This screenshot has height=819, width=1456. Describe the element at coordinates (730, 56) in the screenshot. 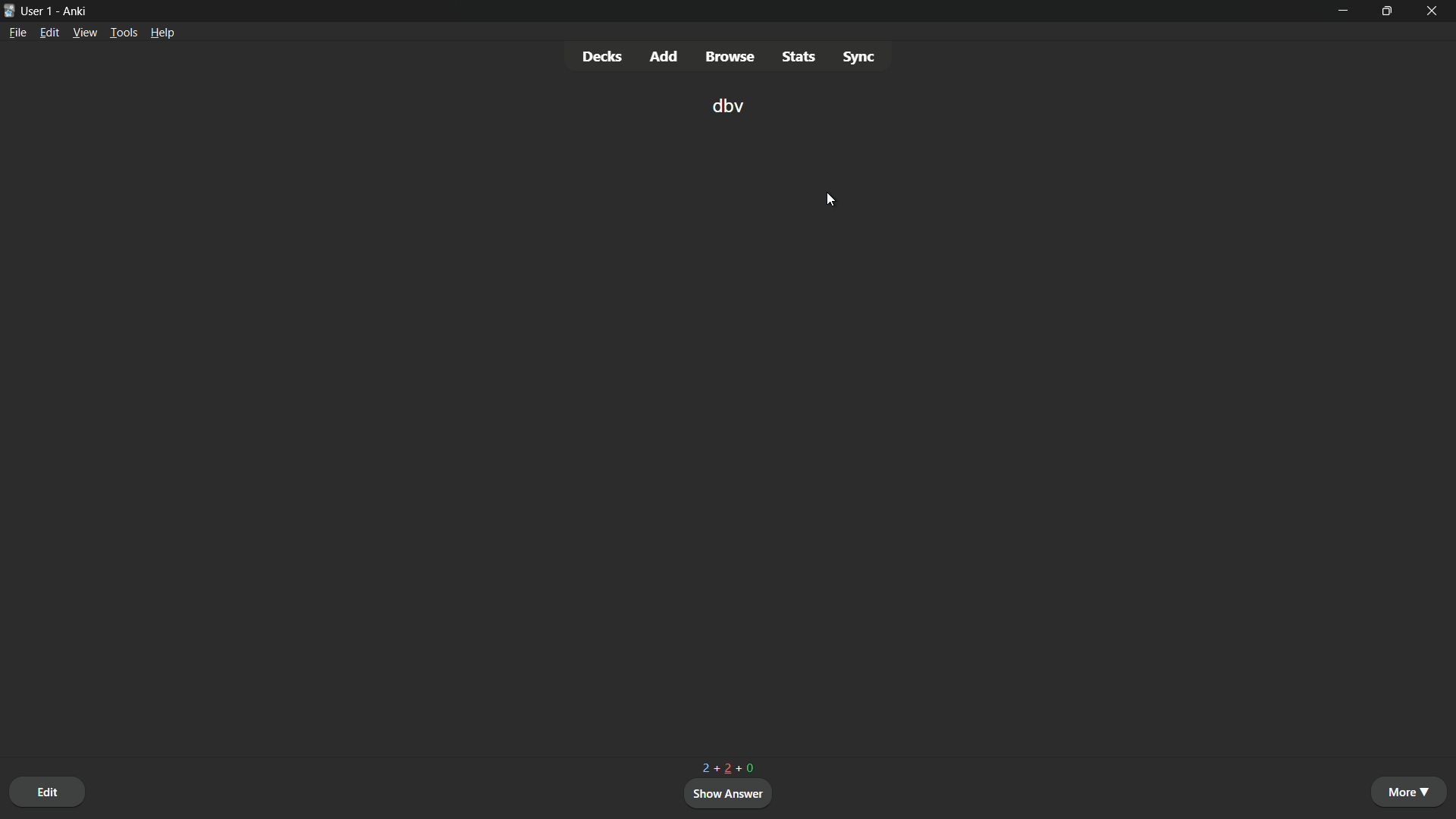

I see `browse` at that location.